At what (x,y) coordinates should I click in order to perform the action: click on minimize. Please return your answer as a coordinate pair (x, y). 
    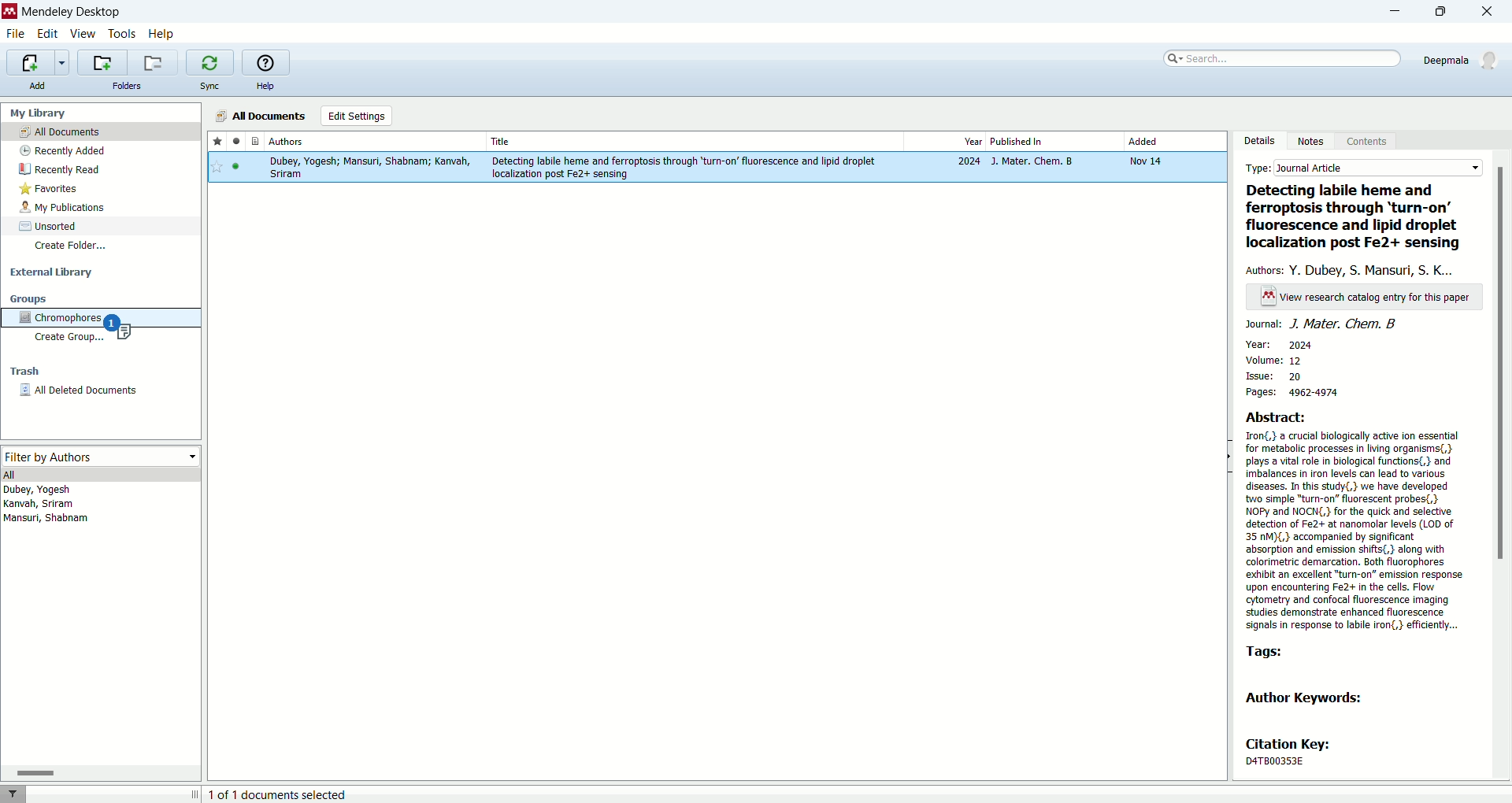
    Looking at the image, I should click on (1391, 13).